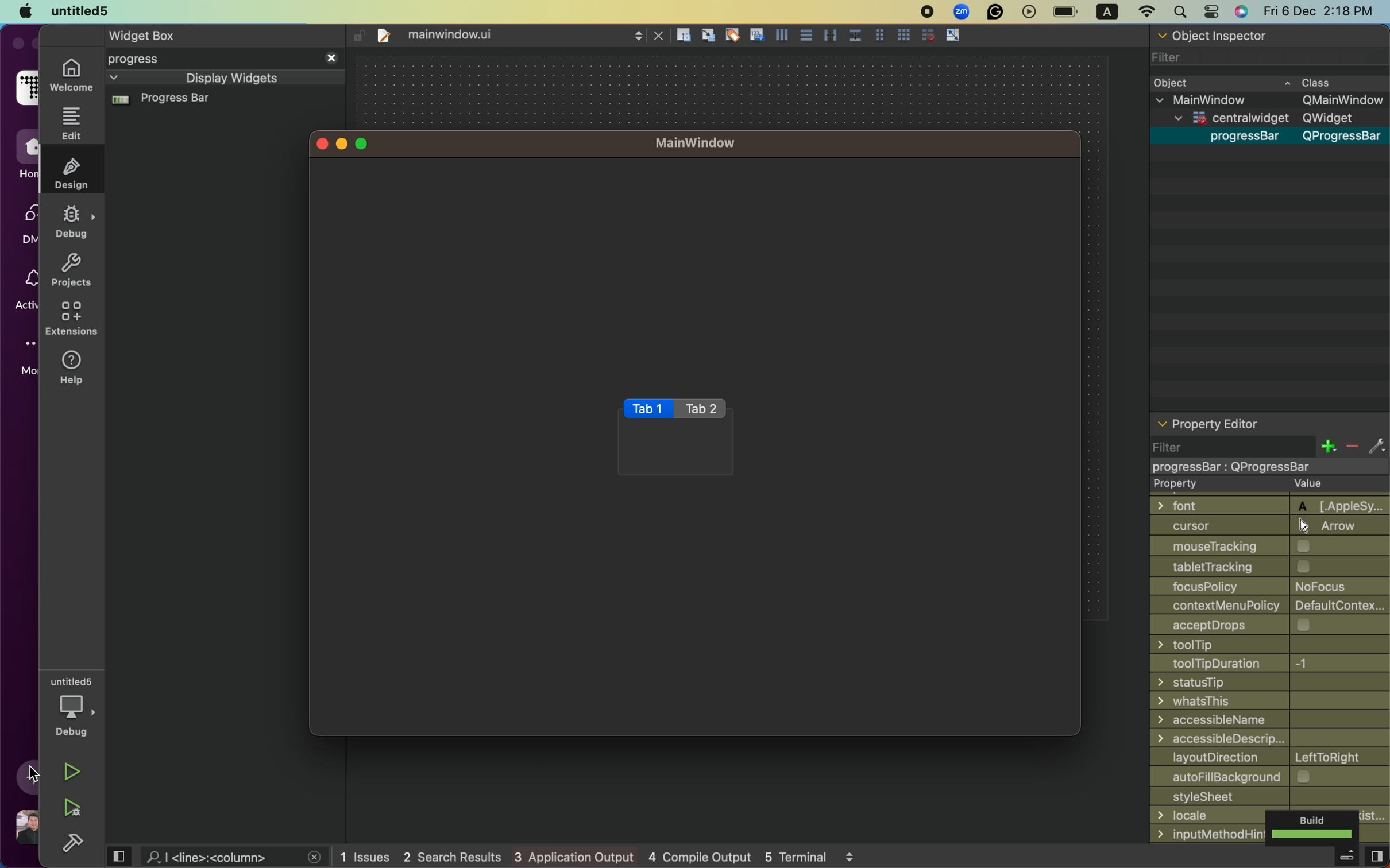 The width and height of the screenshot is (1390, 868). Describe the element at coordinates (210, 34) in the screenshot. I see `tab` at that location.